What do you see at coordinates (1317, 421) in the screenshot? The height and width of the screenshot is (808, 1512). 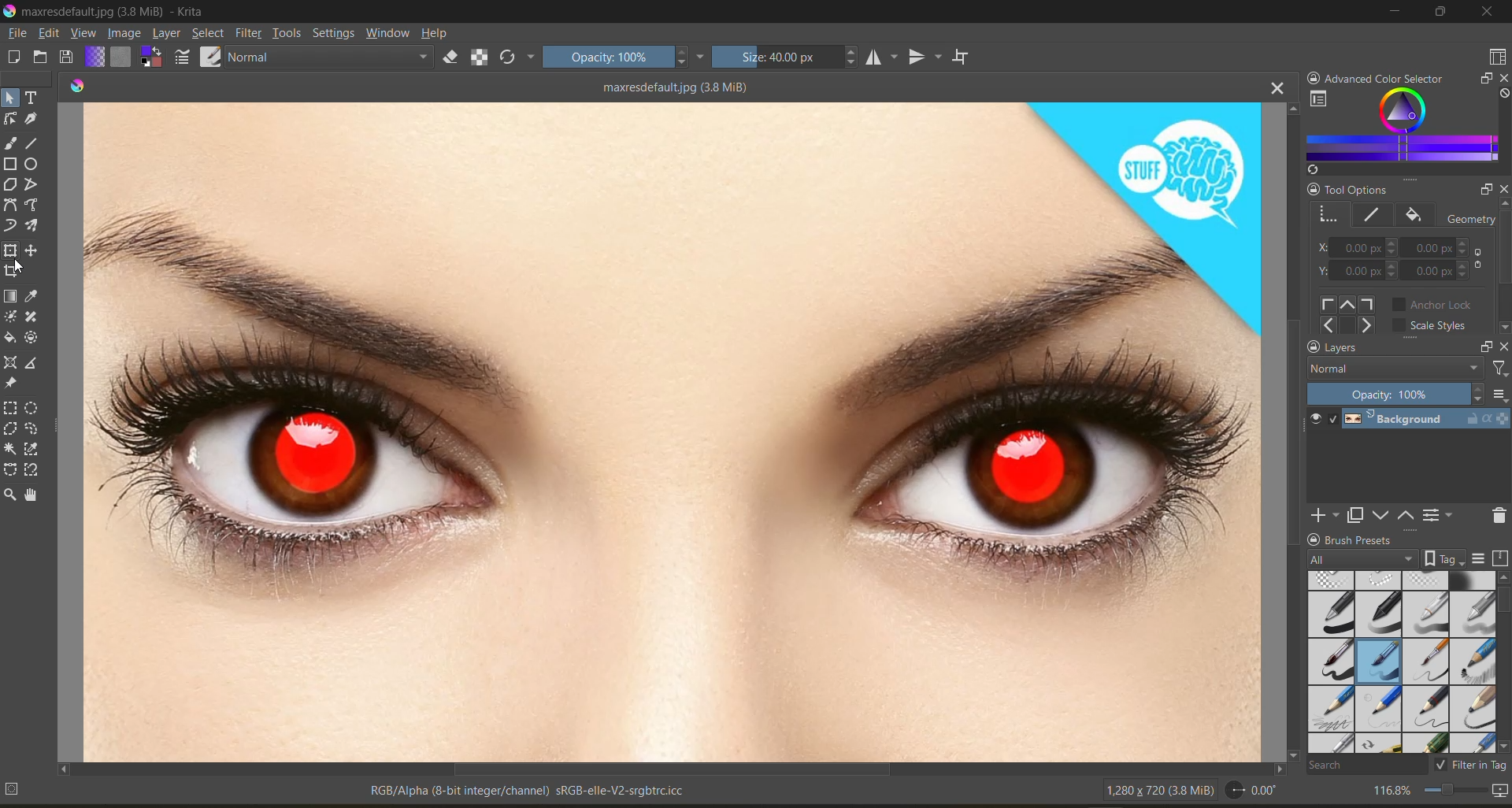 I see `preview` at bounding box center [1317, 421].